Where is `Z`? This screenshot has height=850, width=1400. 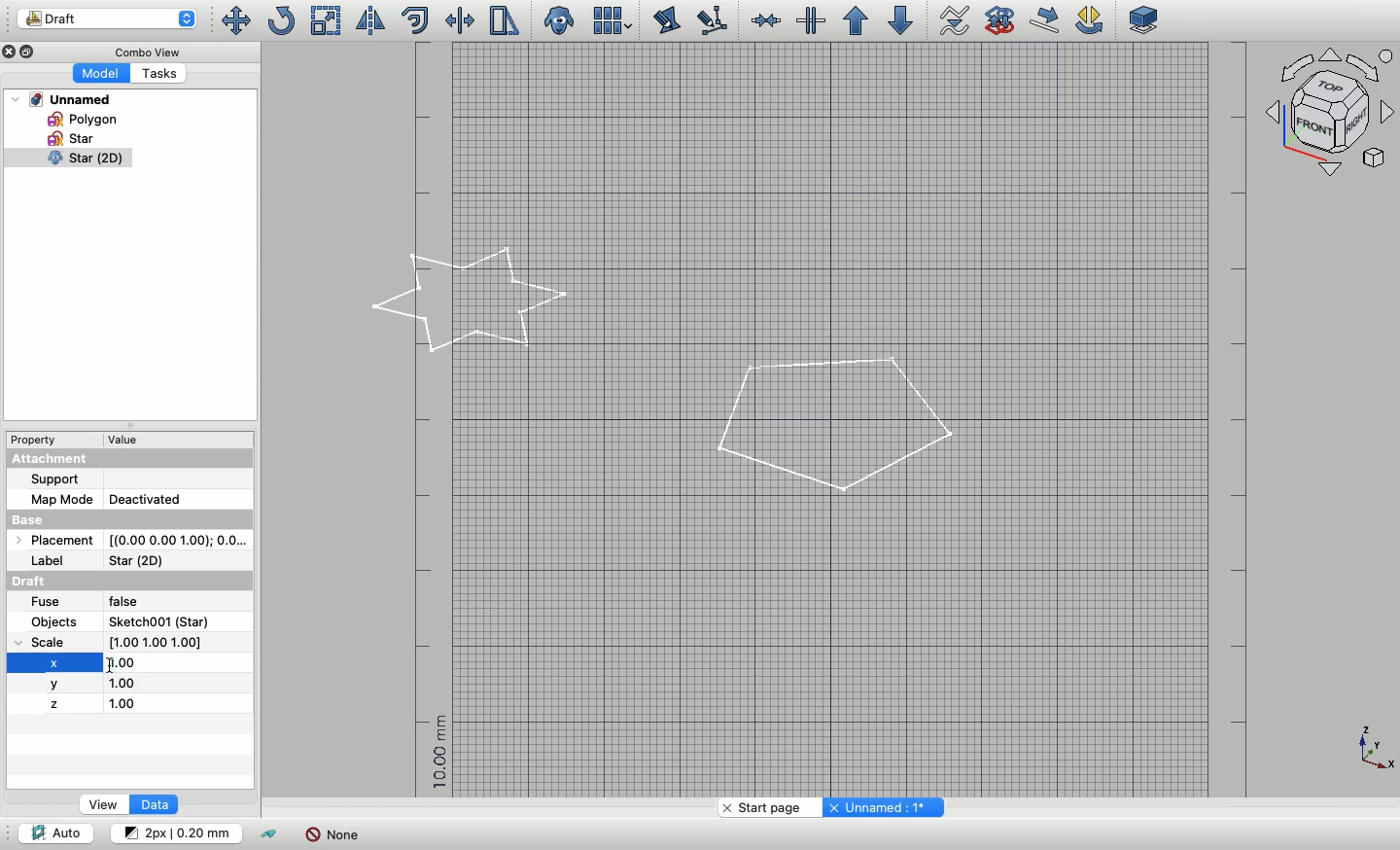 Z is located at coordinates (53, 704).